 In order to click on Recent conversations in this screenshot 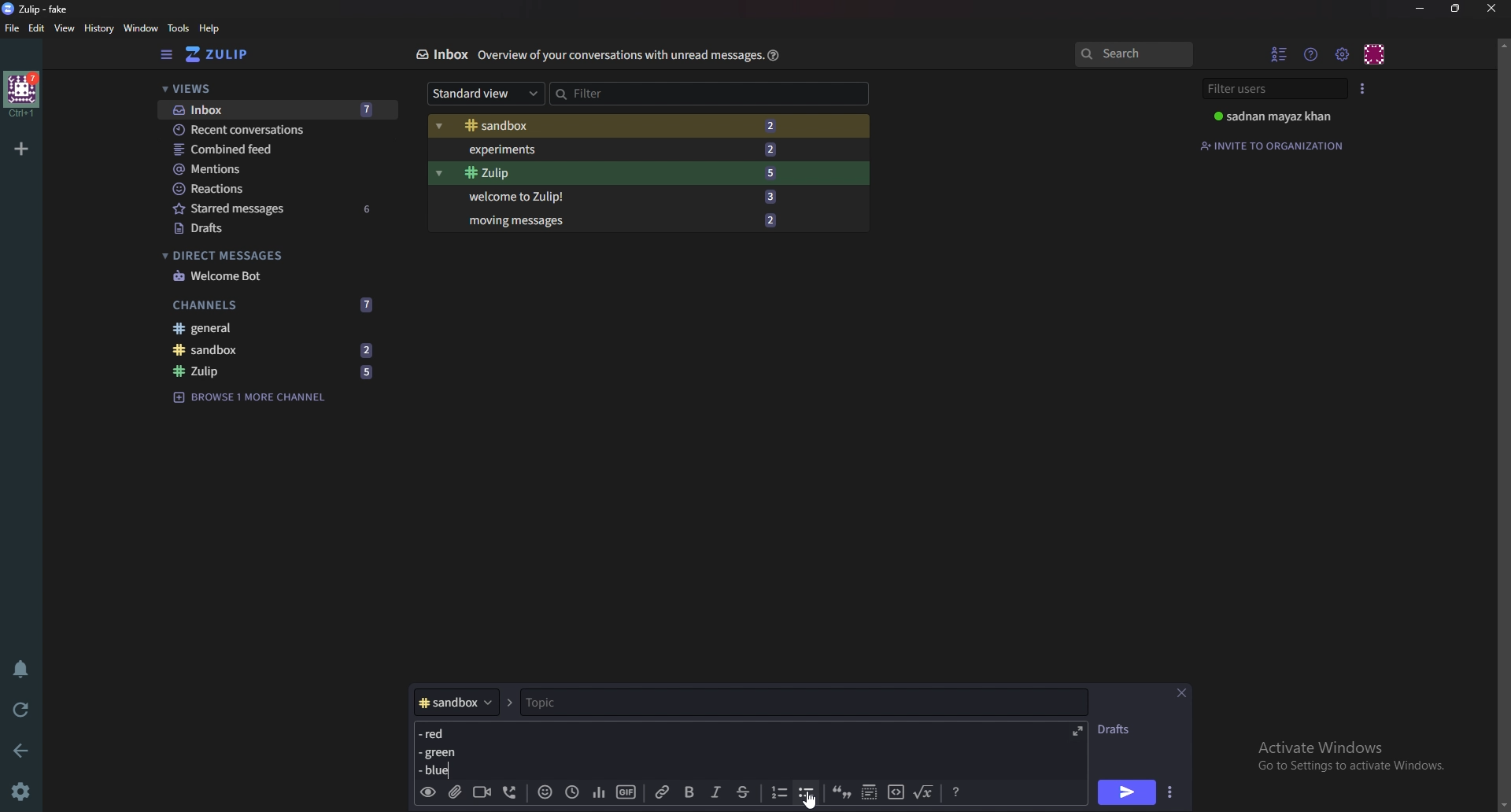, I will do `click(279, 129)`.